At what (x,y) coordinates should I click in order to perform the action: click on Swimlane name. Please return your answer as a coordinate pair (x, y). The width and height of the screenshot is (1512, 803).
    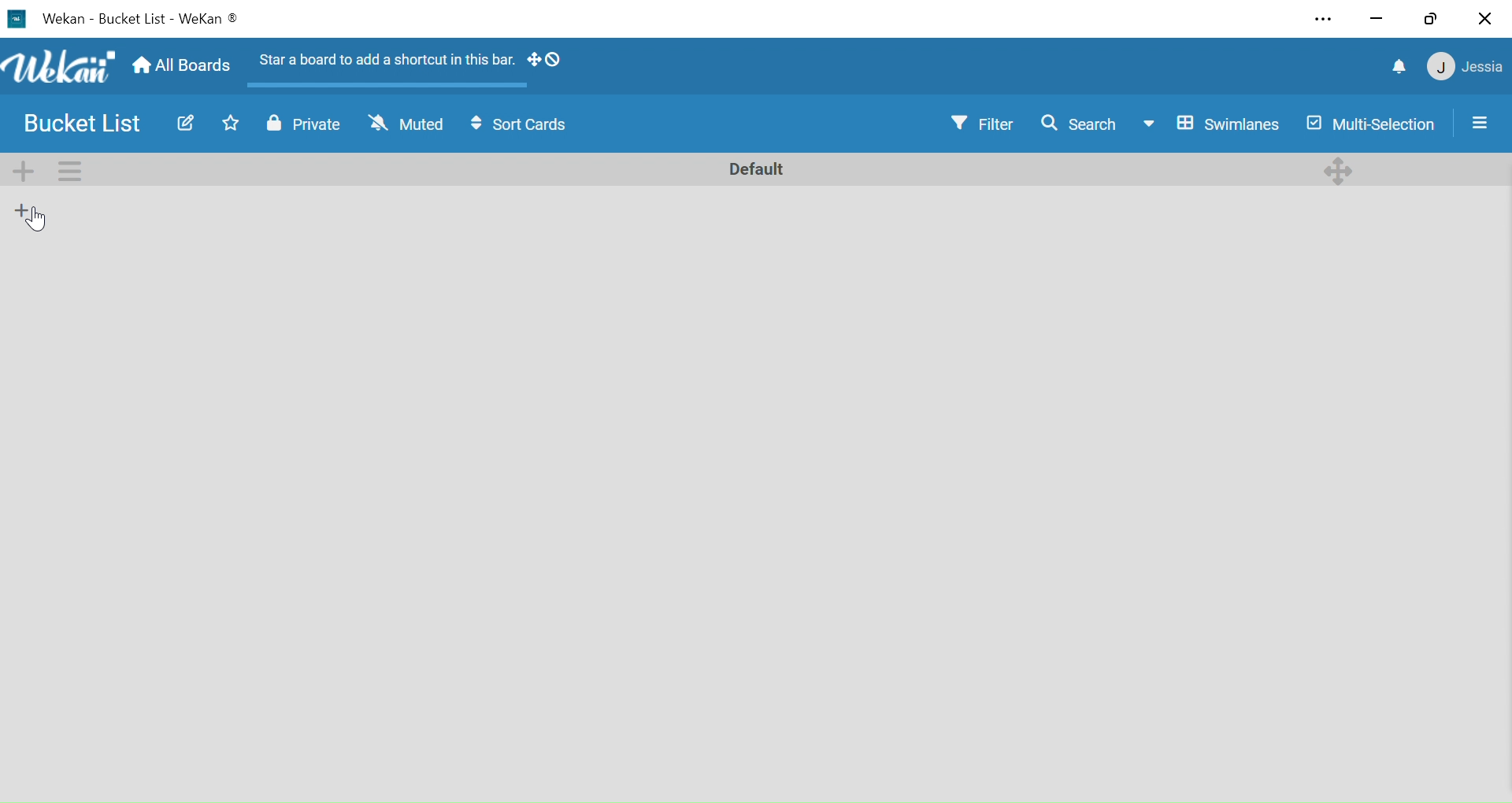
    Looking at the image, I should click on (754, 168).